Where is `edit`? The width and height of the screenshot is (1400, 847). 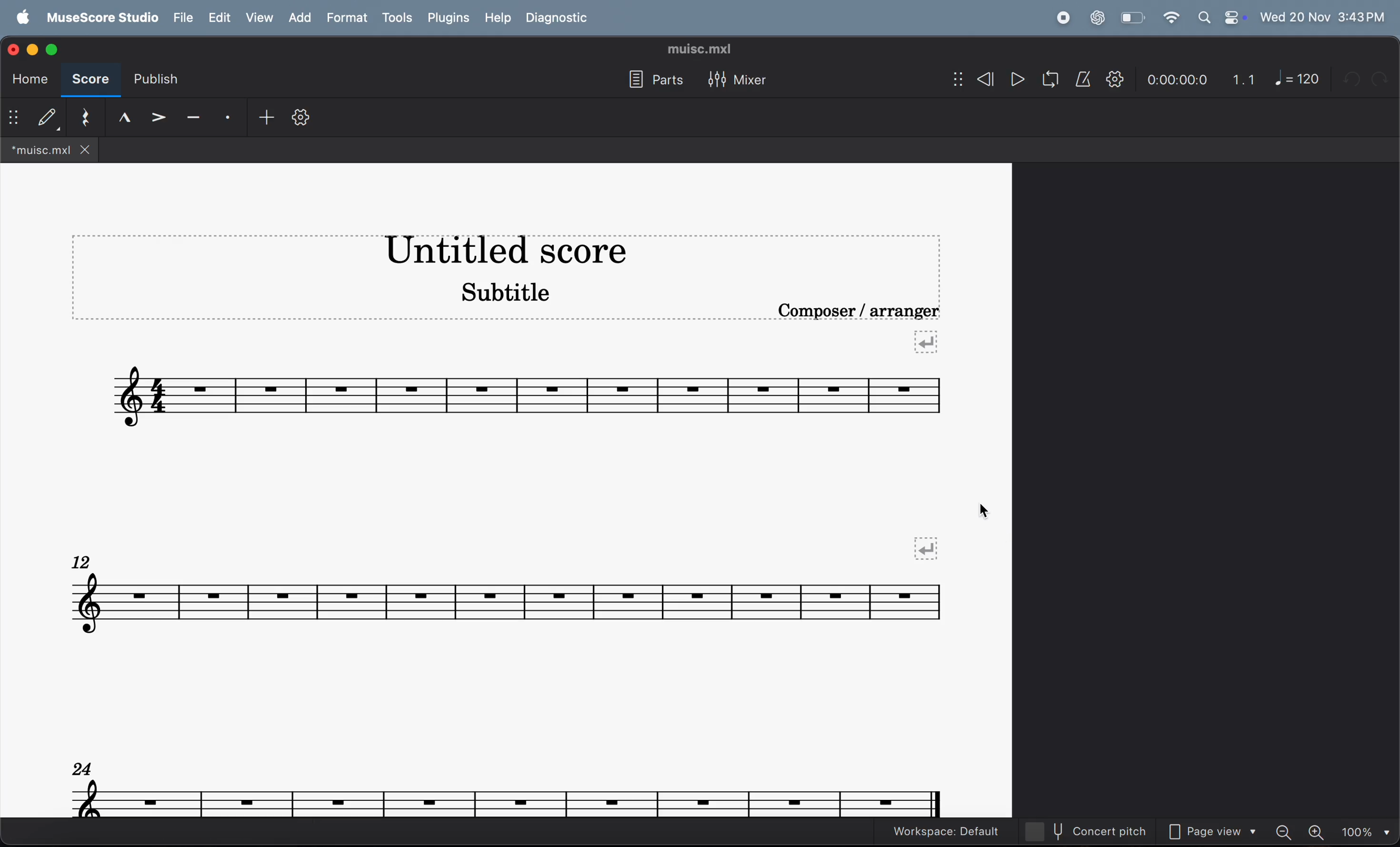 edit is located at coordinates (218, 16).